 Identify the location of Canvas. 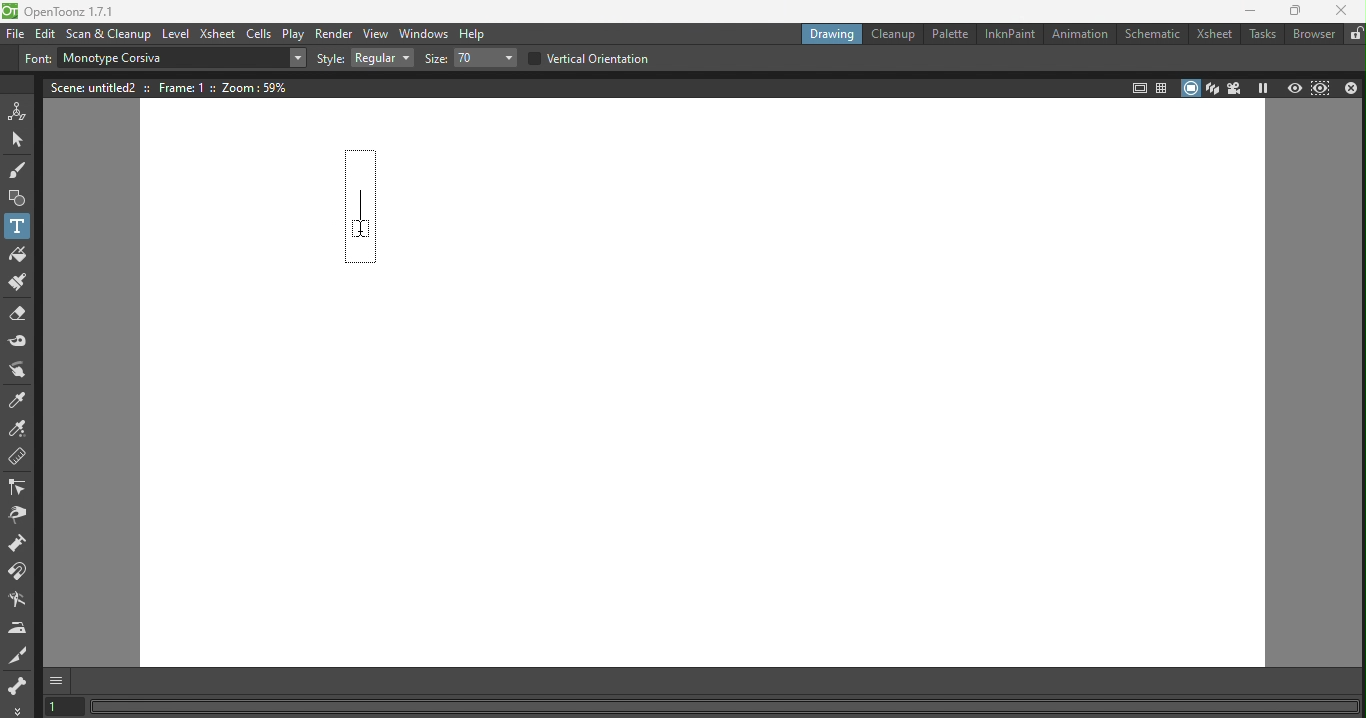
(702, 477).